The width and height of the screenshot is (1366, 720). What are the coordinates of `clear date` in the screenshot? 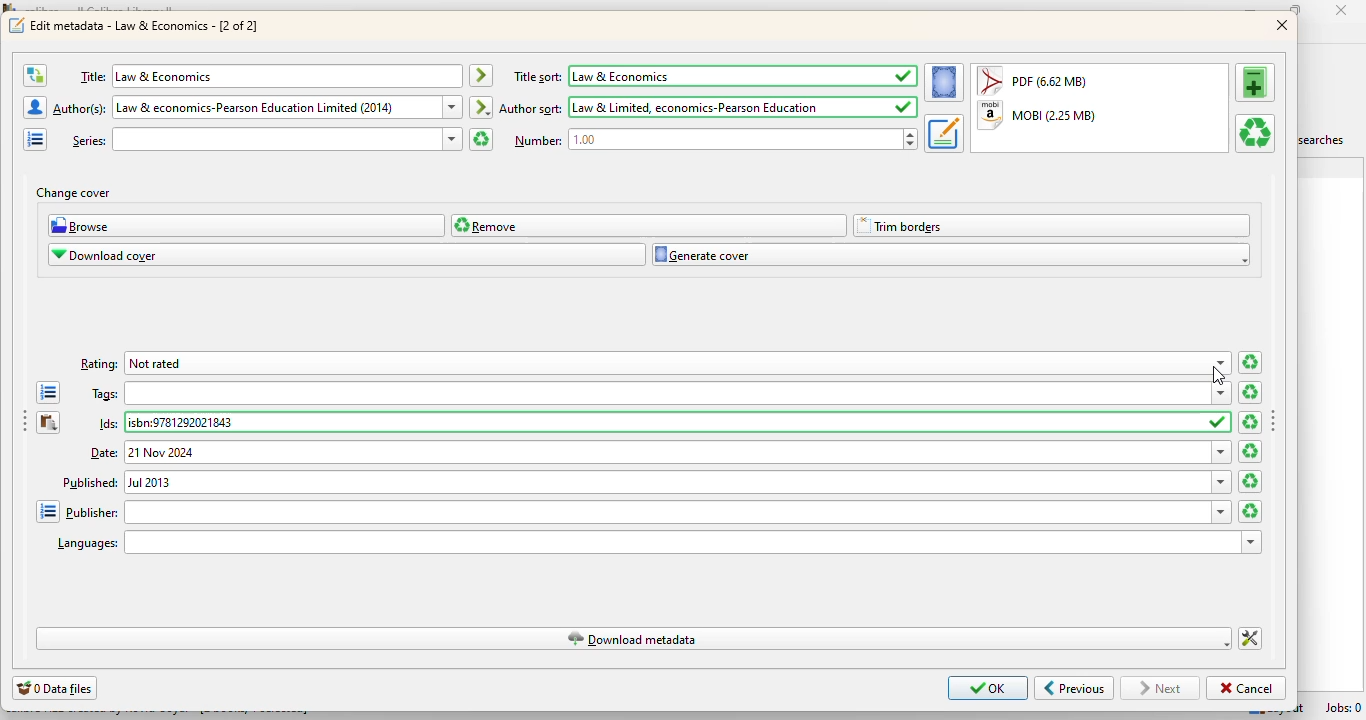 It's located at (1251, 452).